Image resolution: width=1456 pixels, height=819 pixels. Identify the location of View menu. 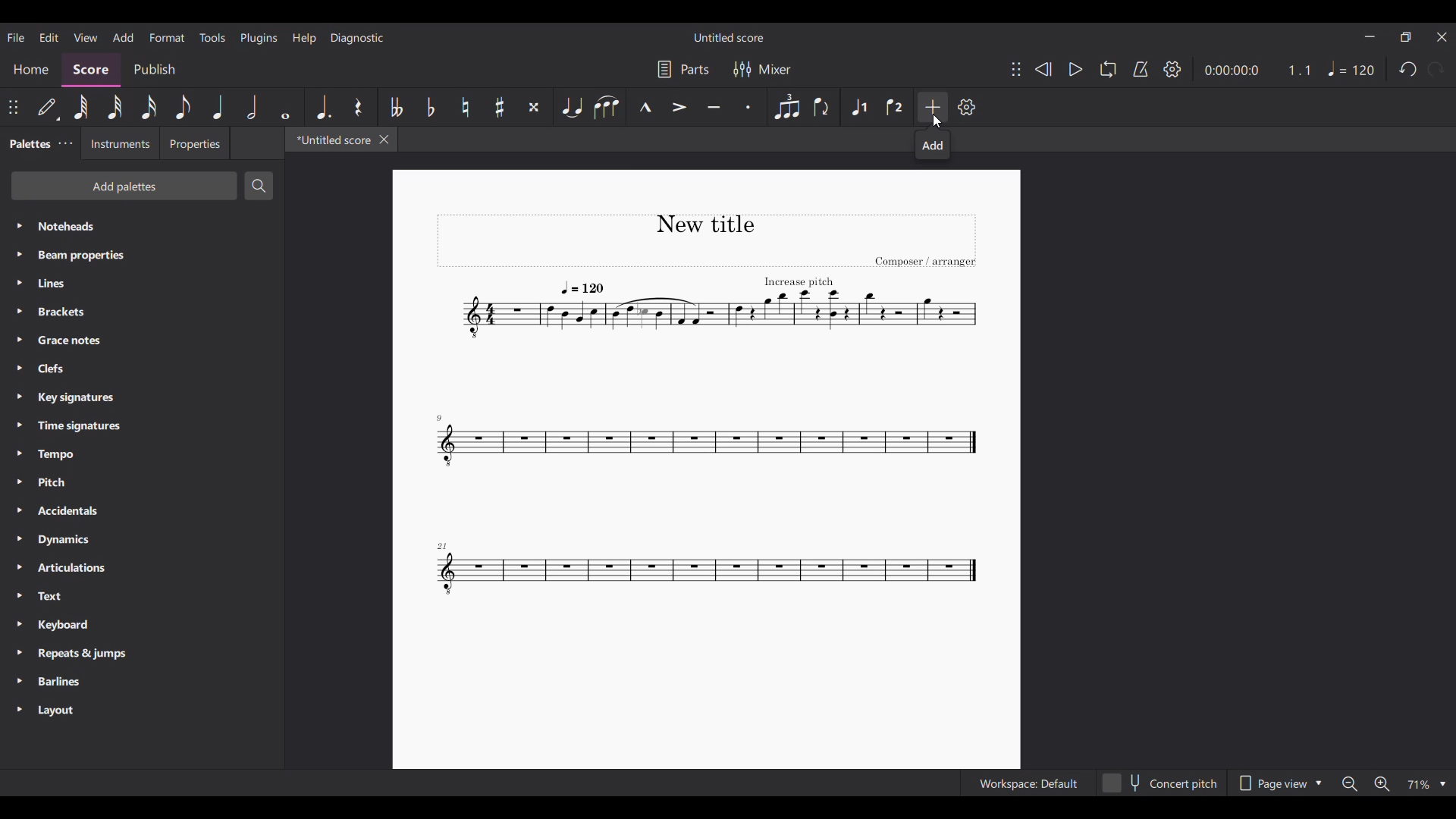
(85, 37).